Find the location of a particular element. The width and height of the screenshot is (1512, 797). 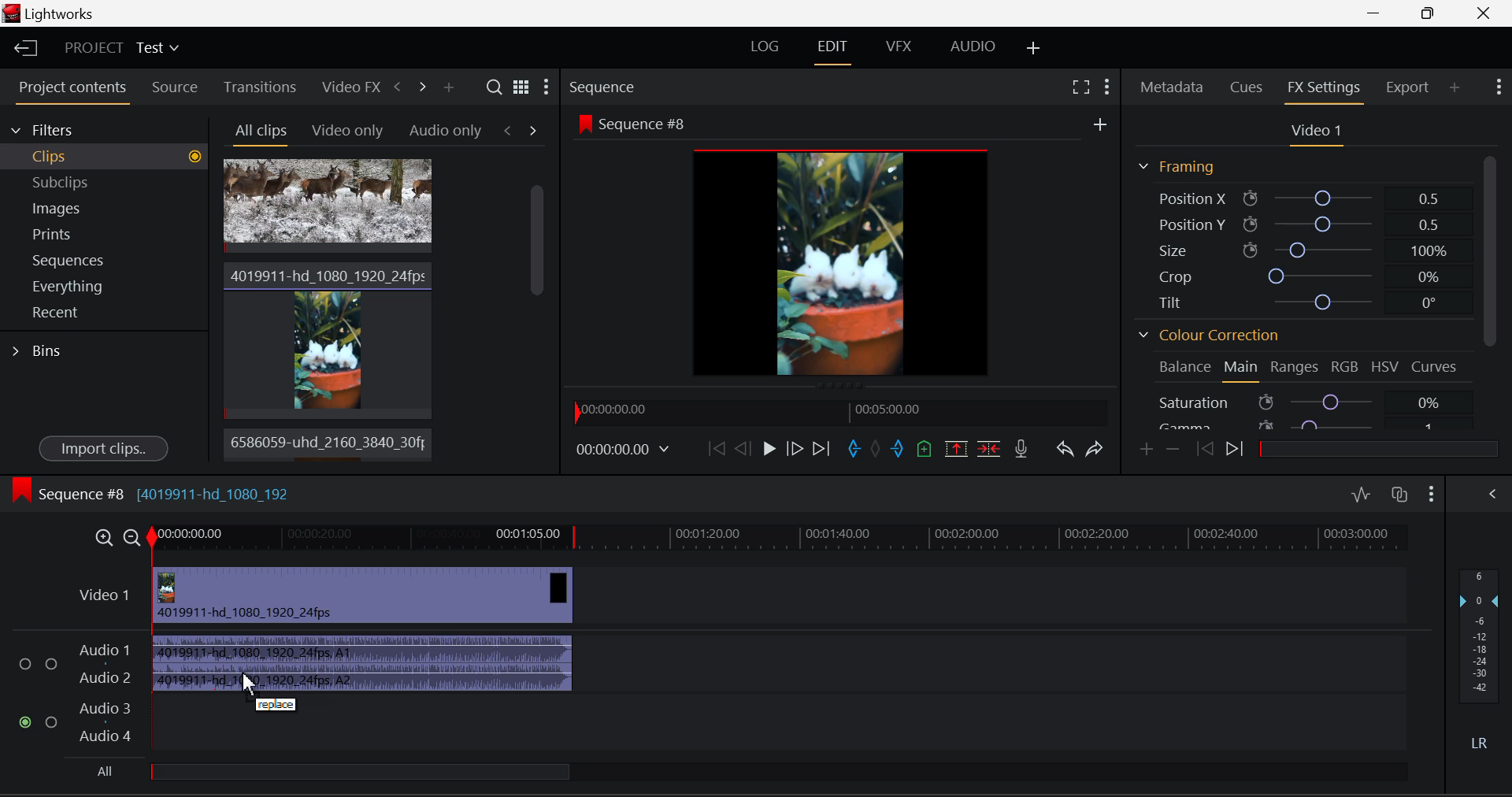

Previous Tab is located at coordinates (511, 130).